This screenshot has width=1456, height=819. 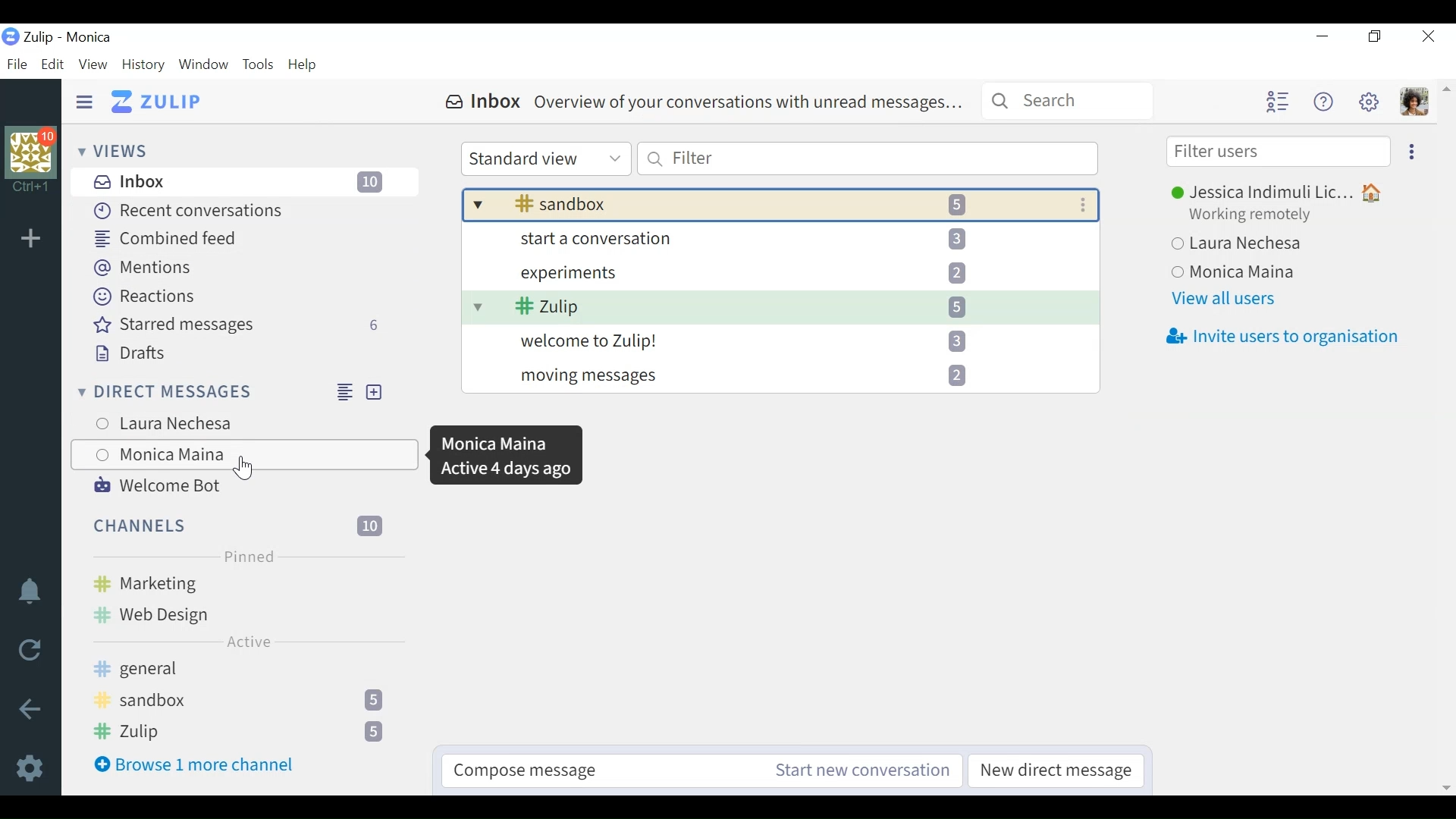 What do you see at coordinates (11, 38) in the screenshot?
I see `Zulip Desktop icon` at bounding box center [11, 38].